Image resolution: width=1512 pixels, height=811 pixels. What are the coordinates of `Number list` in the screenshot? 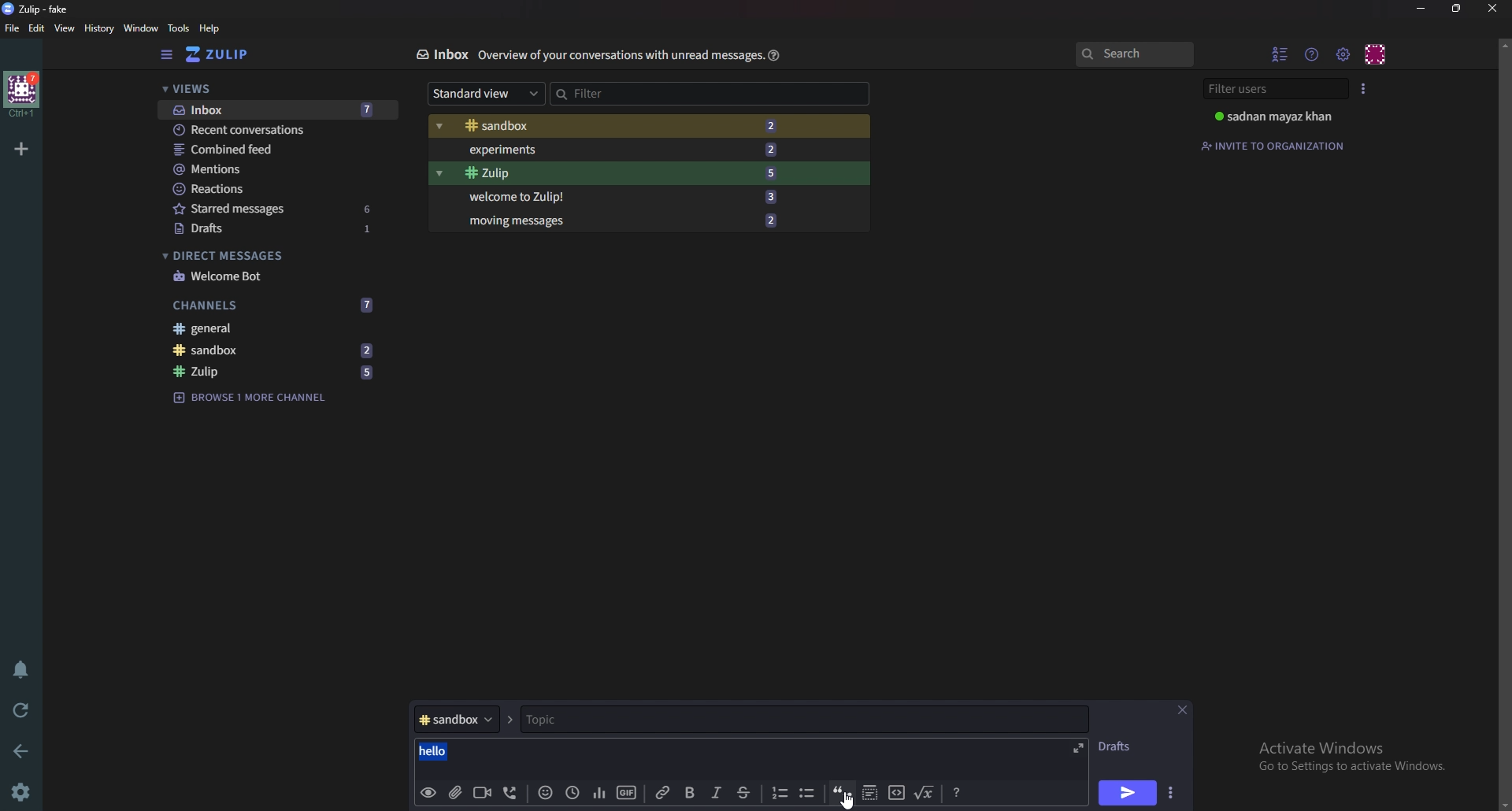 It's located at (780, 792).